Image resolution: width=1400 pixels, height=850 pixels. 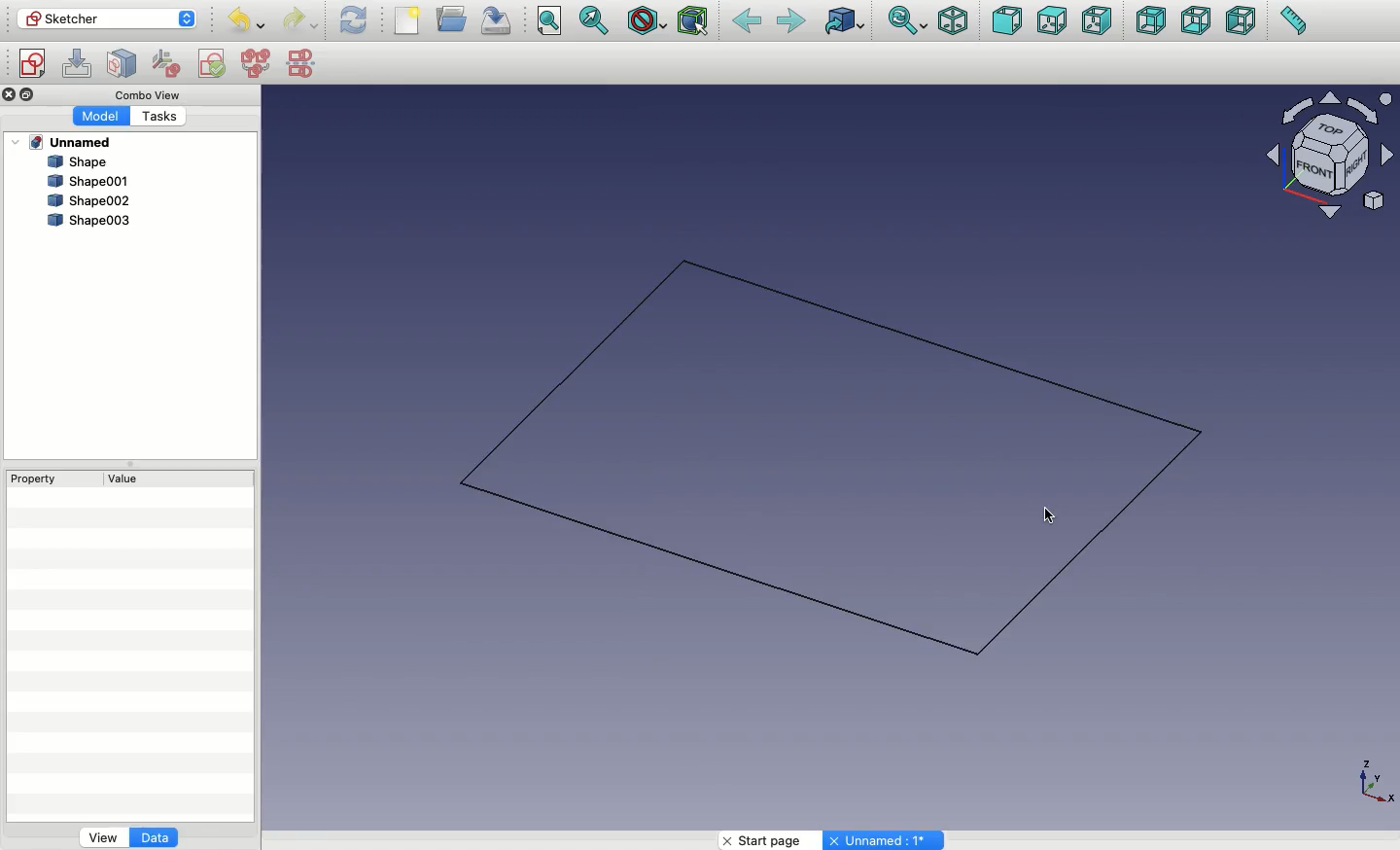 What do you see at coordinates (303, 64) in the screenshot?
I see `Mirror sketch` at bounding box center [303, 64].